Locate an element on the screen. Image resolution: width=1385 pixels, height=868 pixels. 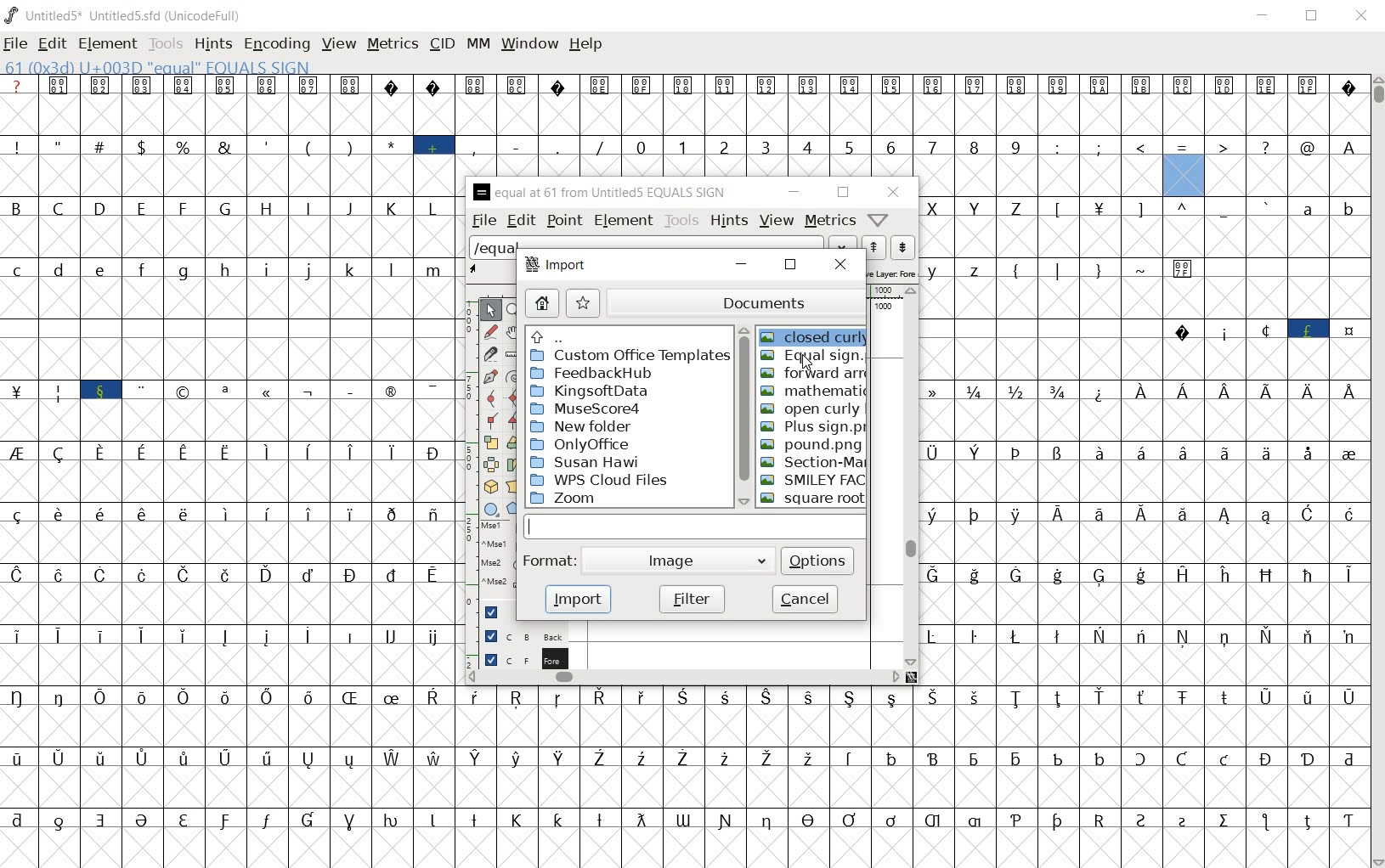
close is located at coordinates (841, 268).